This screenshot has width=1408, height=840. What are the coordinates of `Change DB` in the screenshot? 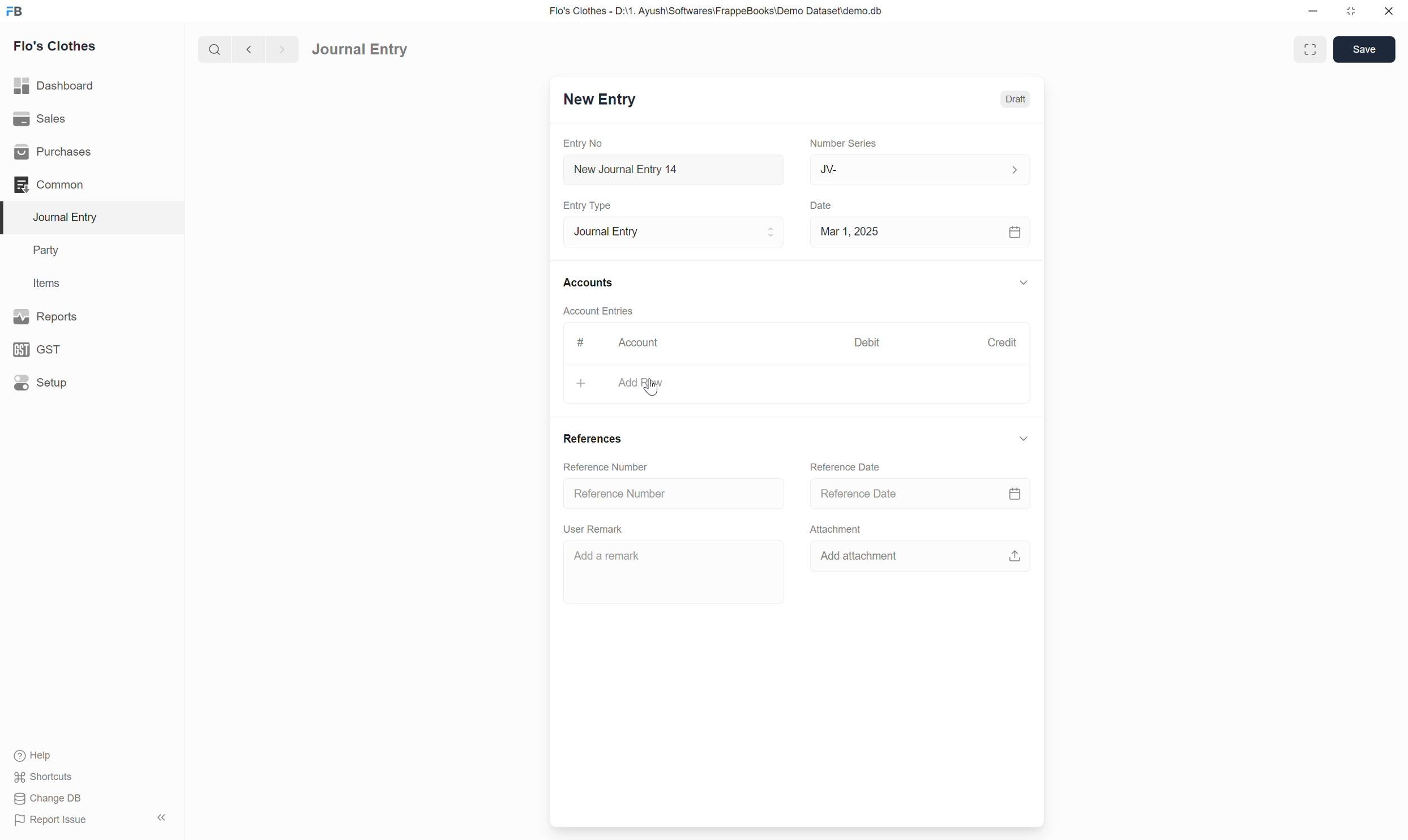 It's located at (48, 798).